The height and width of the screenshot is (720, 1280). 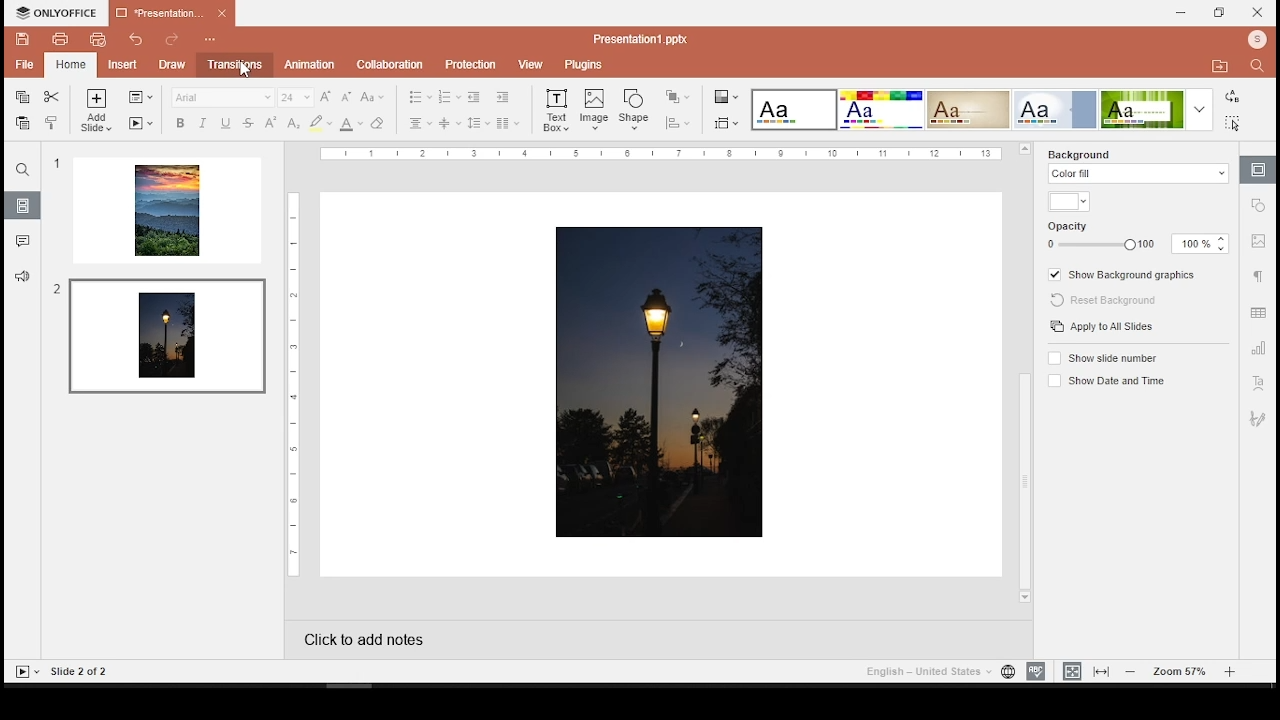 What do you see at coordinates (479, 124) in the screenshot?
I see `line spacing` at bounding box center [479, 124].